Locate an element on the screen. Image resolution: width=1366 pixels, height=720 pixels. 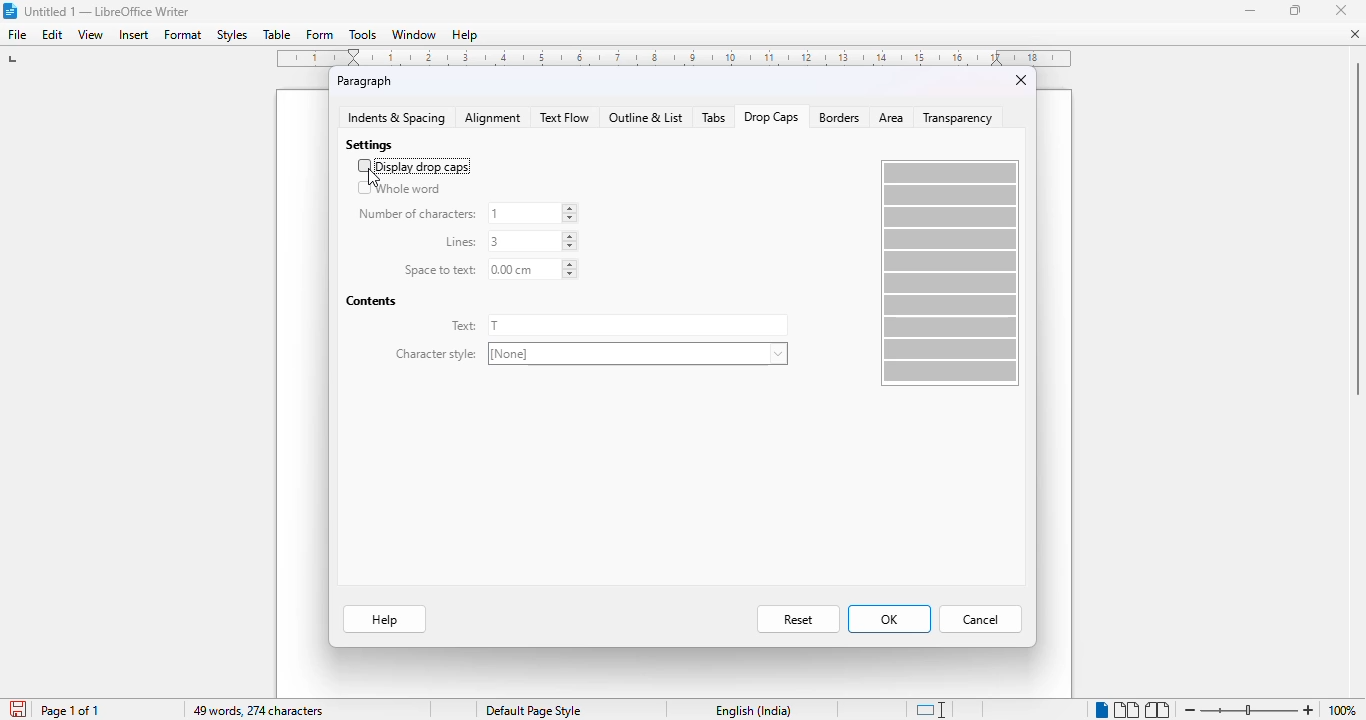
vertical scroll bar is located at coordinates (1357, 226).